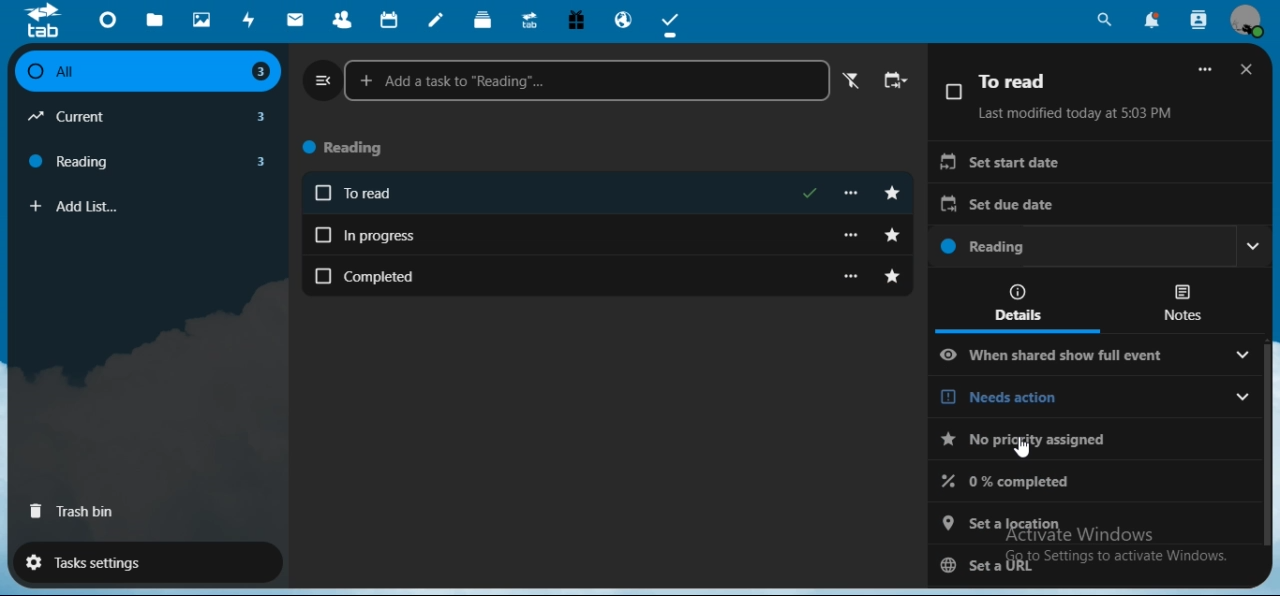  What do you see at coordinates (138, 561) in the screenshot?
I see `tasks settings` at bounding box center [138, 561].